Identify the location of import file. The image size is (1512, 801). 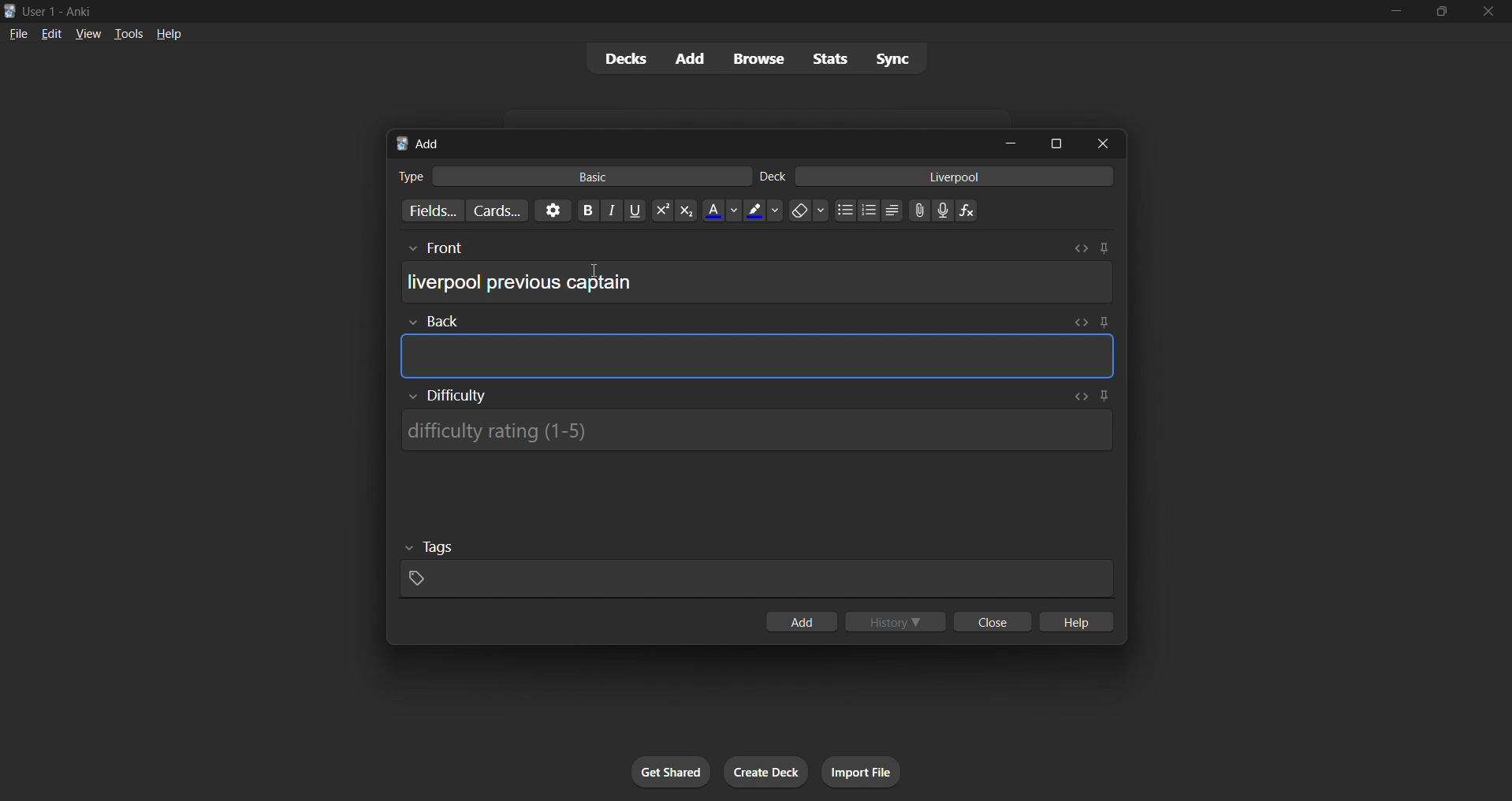
(867, 770).